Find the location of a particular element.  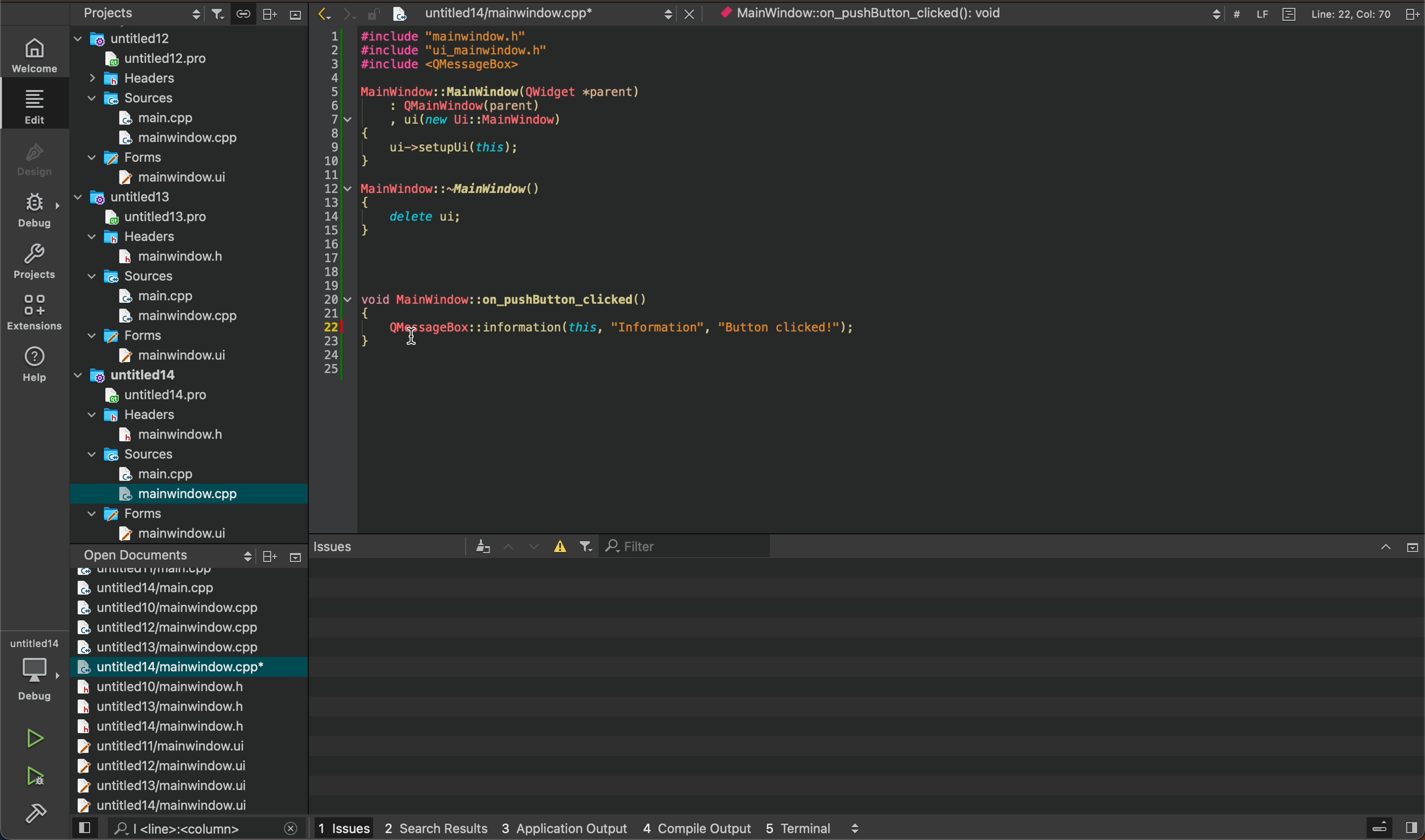

 is located at coordinates (36, 812).